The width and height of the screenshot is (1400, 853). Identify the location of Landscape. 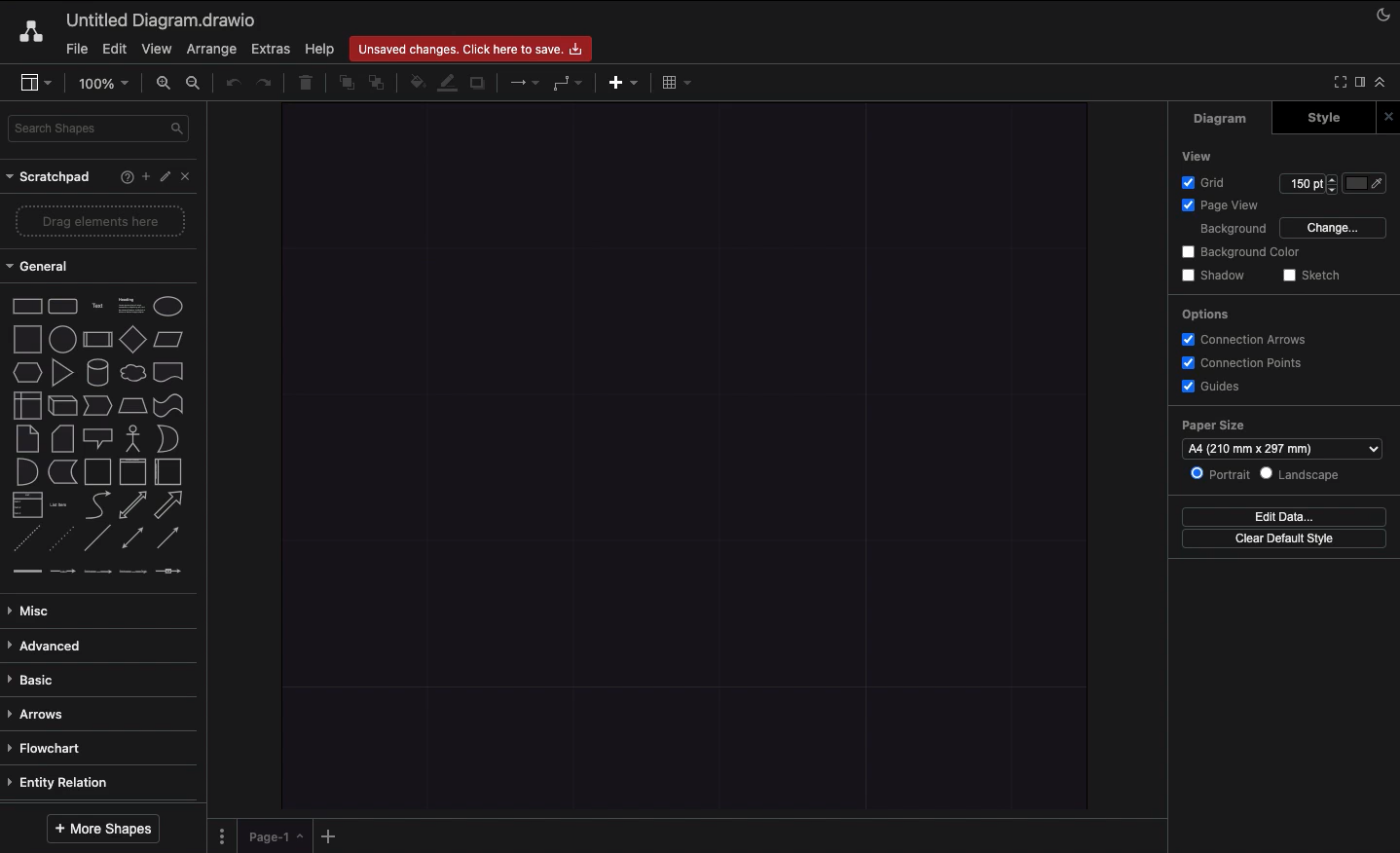
(1307, 476).